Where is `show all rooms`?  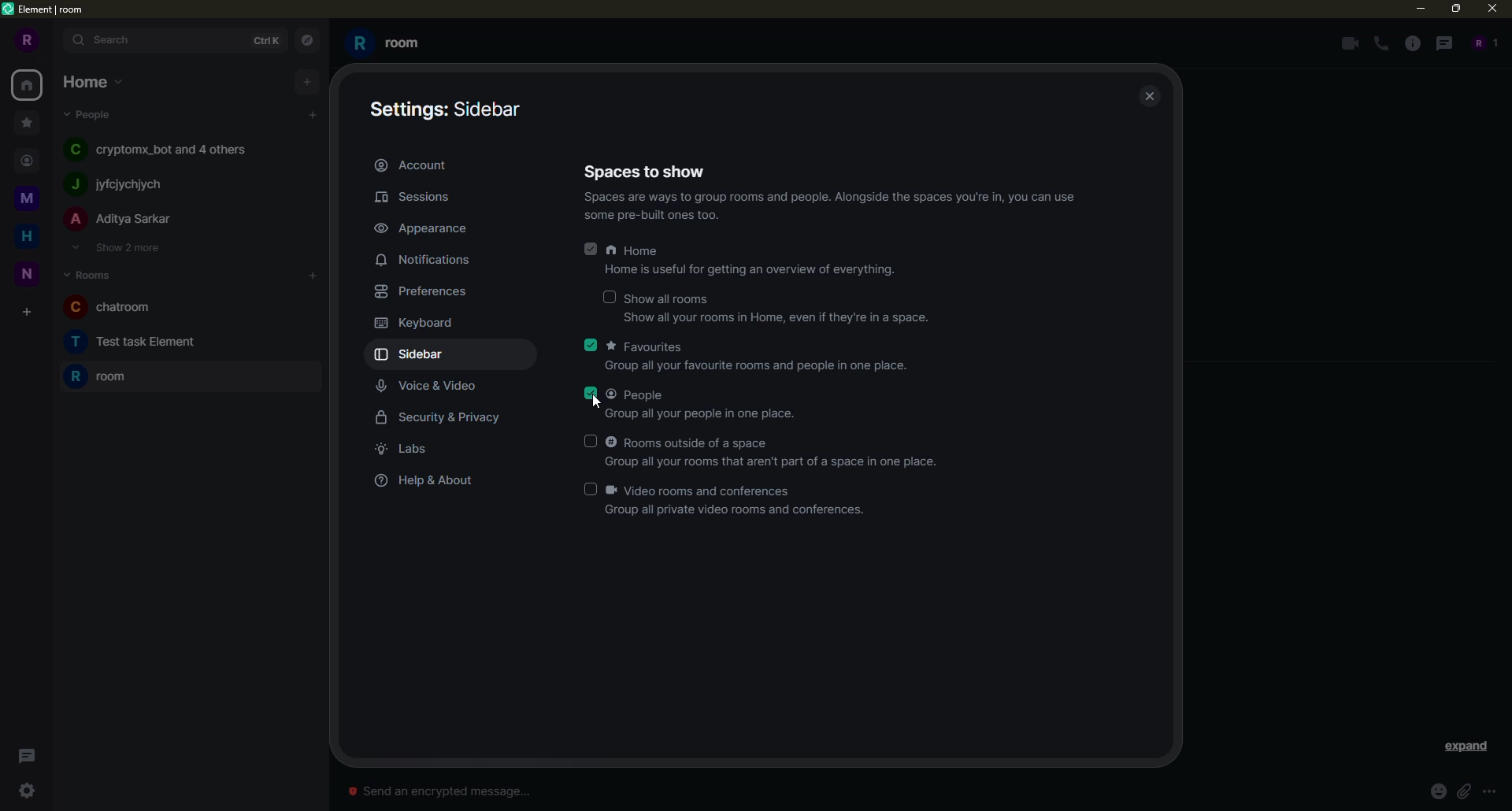
show all rooms is located at coordinates (672, 298).